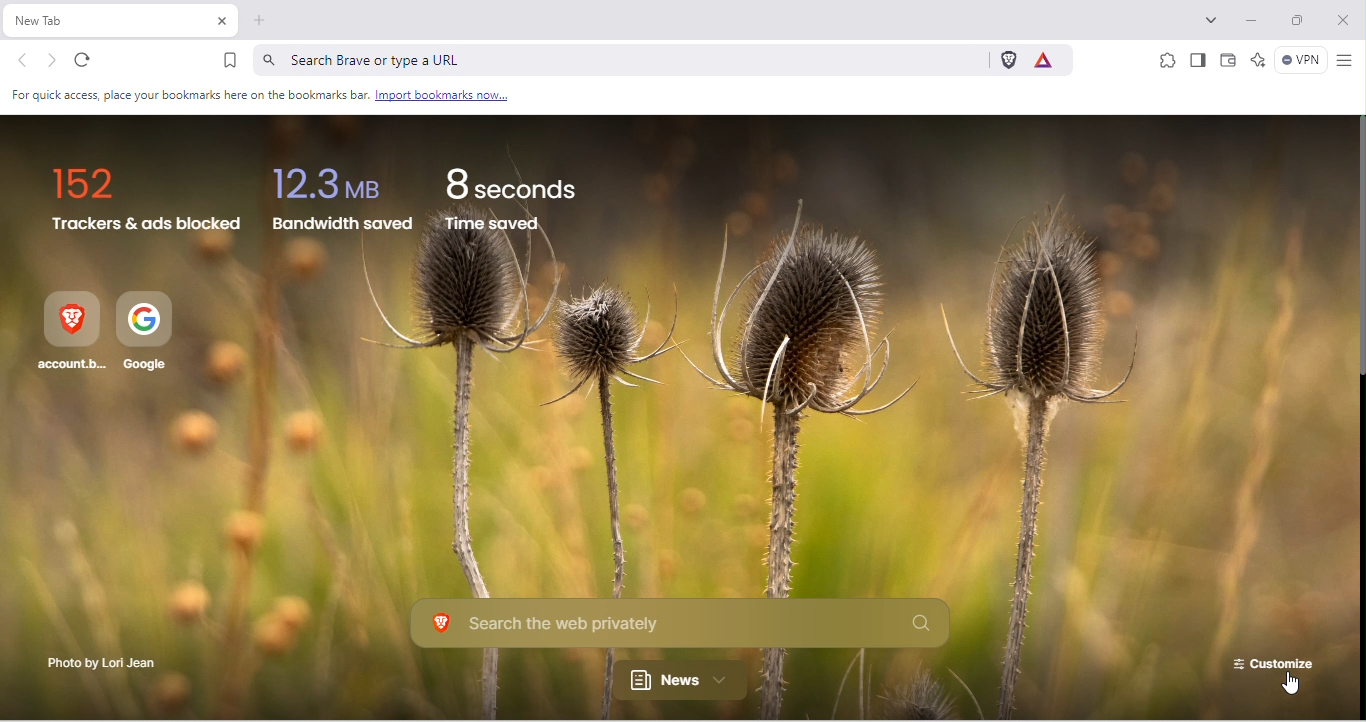 The height and width of the screenshot is (722, 1366). Describe the element at coordinates (617, 59) in the screenshot. I see `Search bar` at that location.